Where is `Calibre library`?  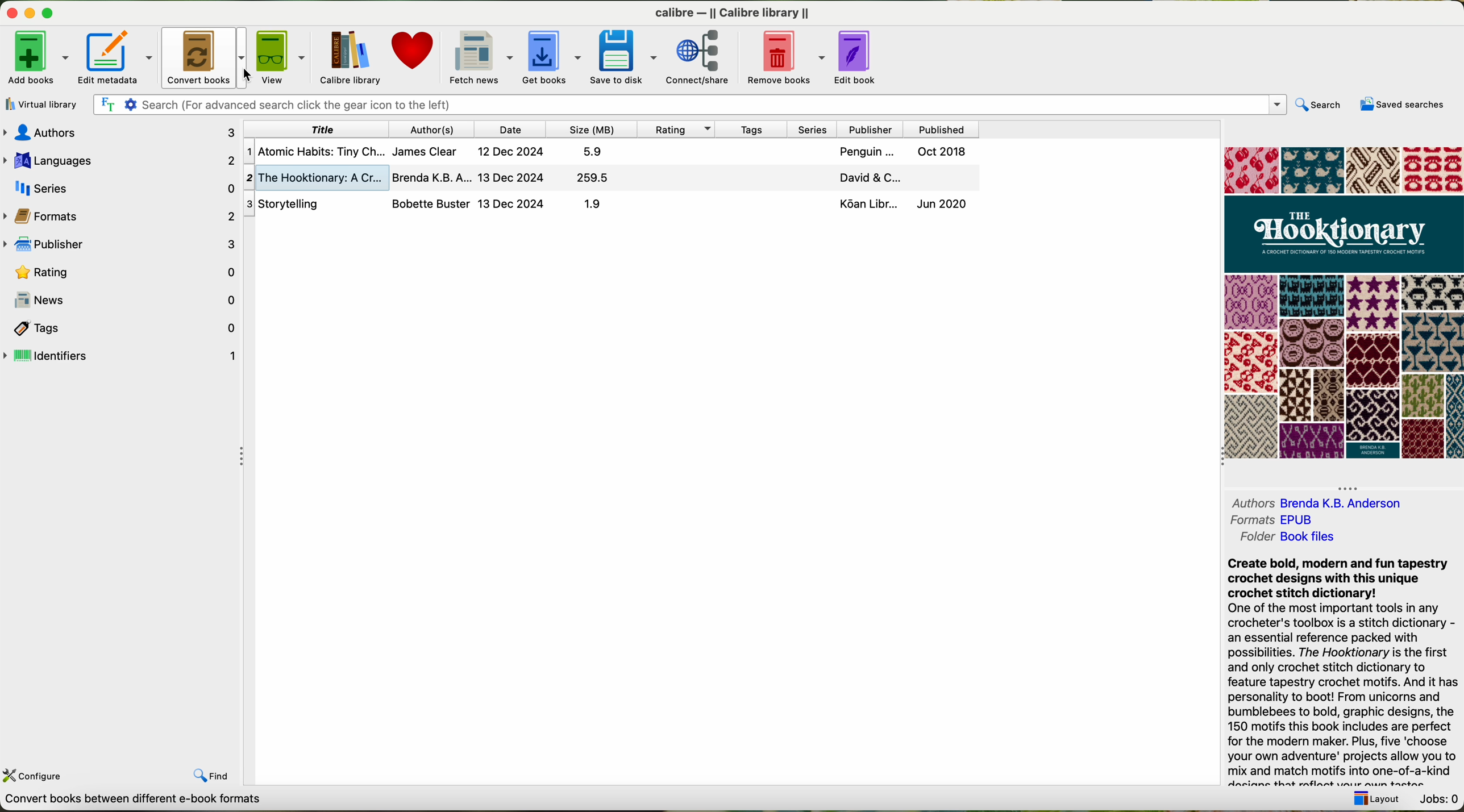
Calibre library is located at coordinates (732, 12).